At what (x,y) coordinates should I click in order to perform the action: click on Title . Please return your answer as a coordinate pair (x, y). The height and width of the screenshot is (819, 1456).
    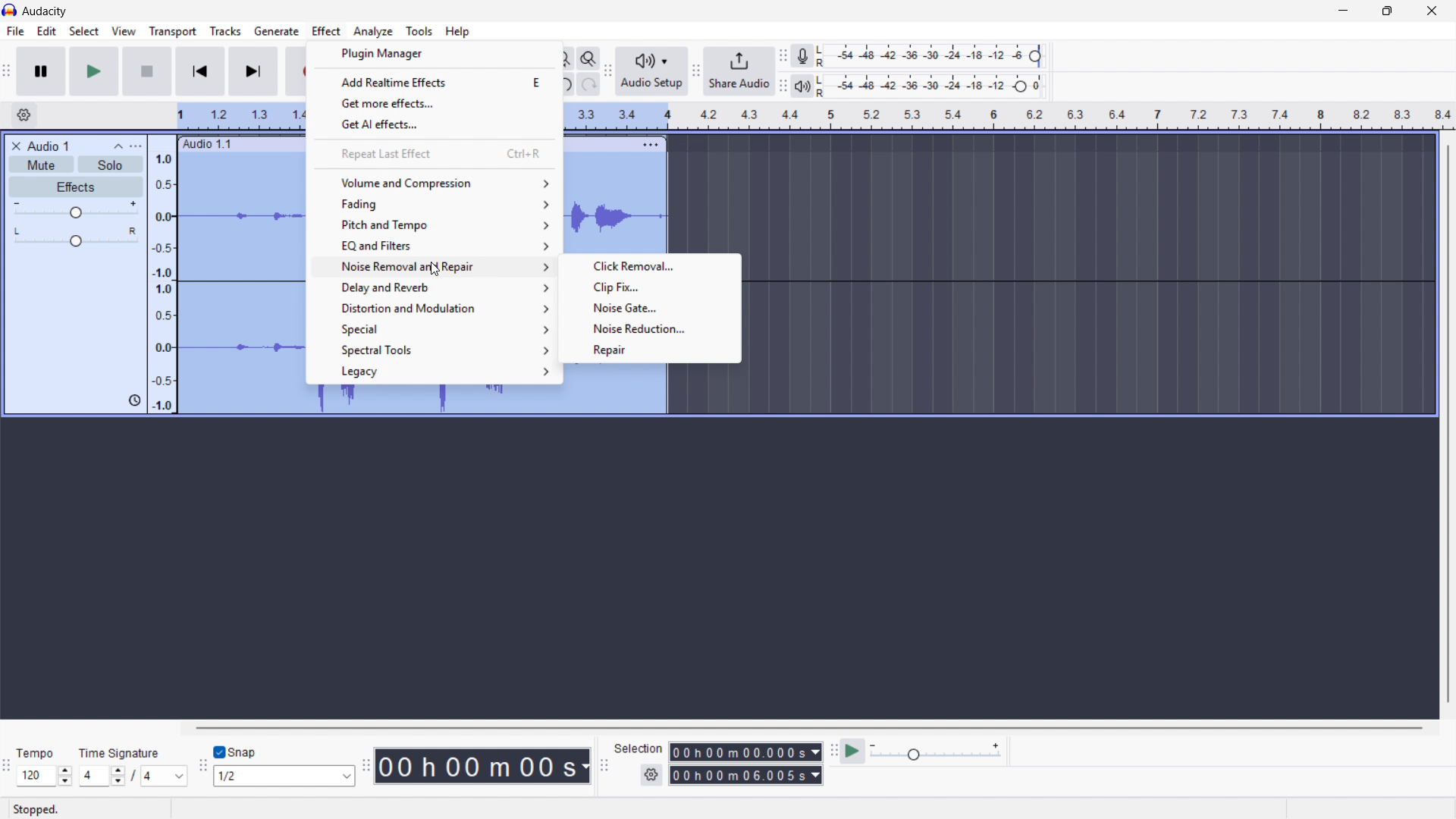
    Looking at the image, I should click on (45, 11).